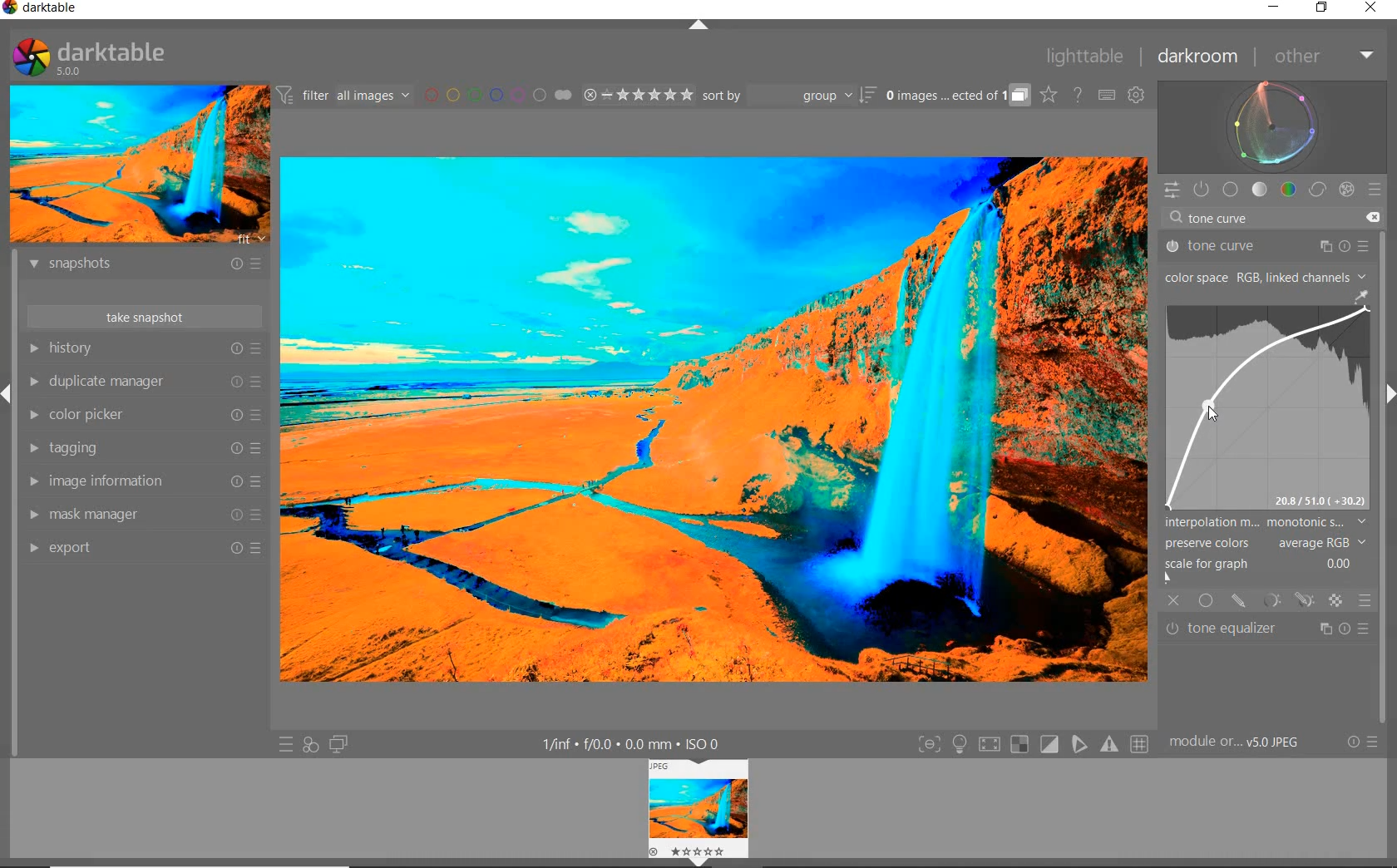 This screenshot has height=868, width=1397. Describe the element at coordinates (143, 481) in the screenshot. I see `image information` at that location.